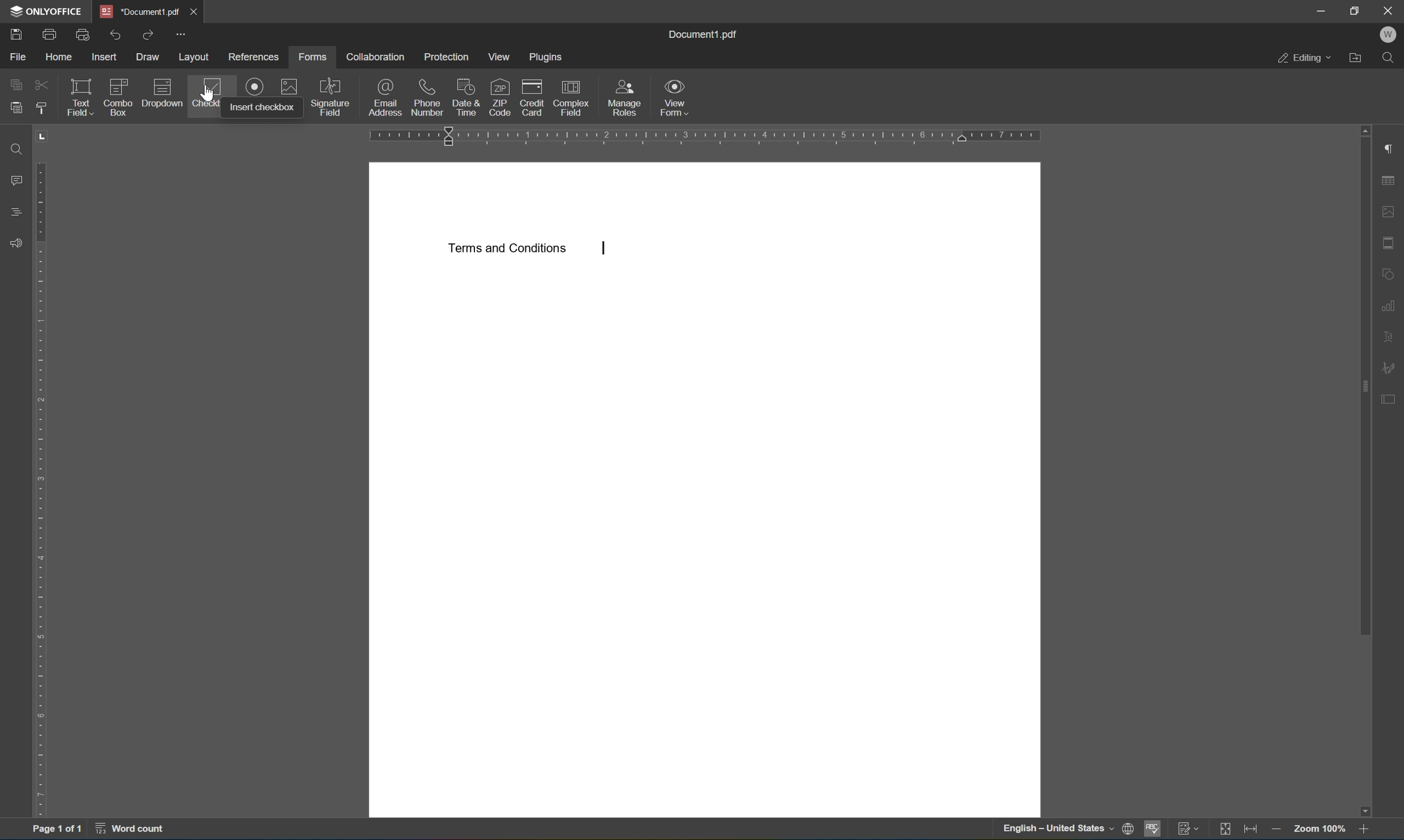  I want to click on zoom in, so click(1366, 830).